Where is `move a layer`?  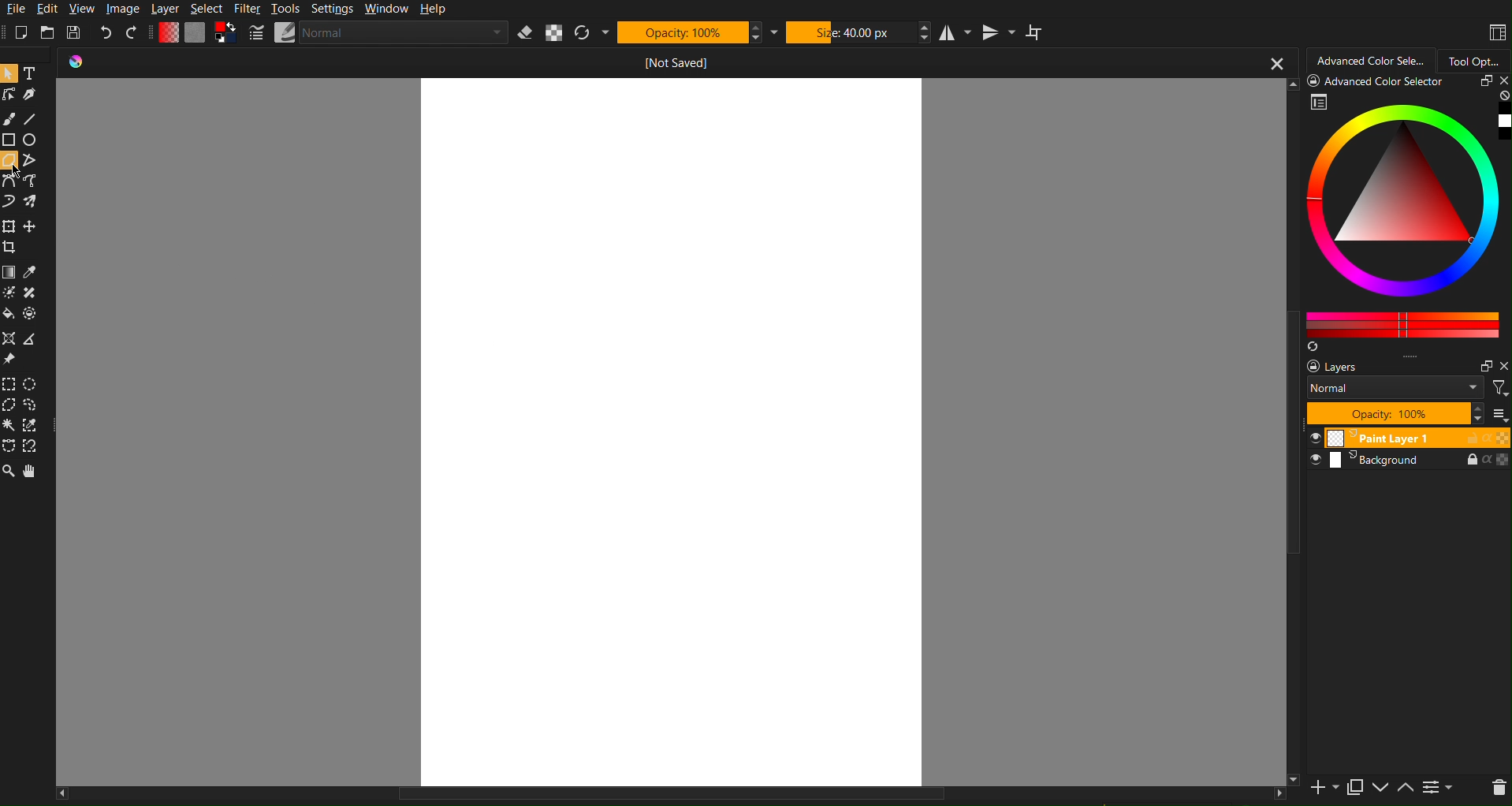 move a layer is located at coordinates (32, 226).